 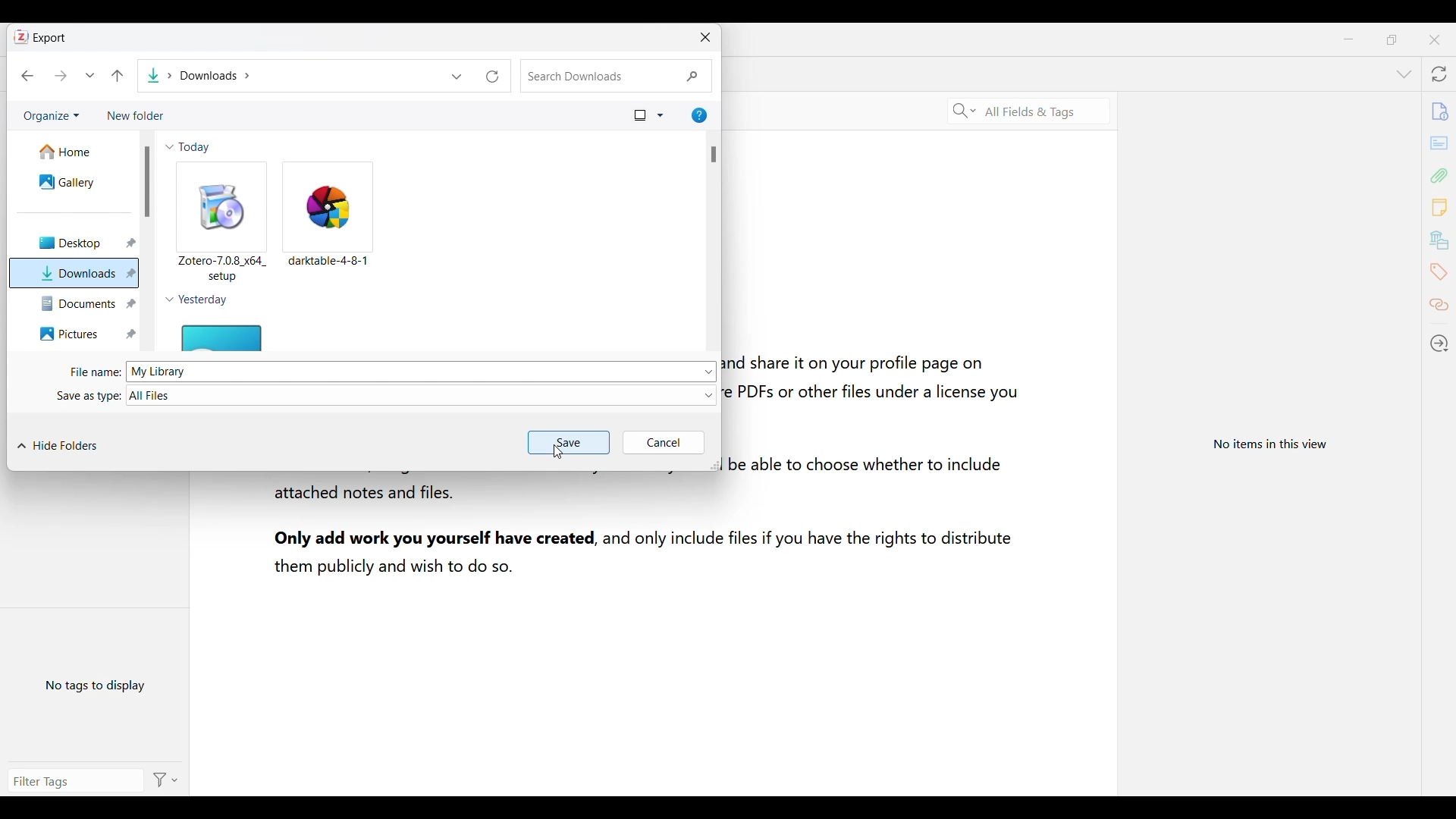 What do you see at coordinates (1439, 175) in the screenshot?
I see `Attachments` at bounding box center [1439, 175].